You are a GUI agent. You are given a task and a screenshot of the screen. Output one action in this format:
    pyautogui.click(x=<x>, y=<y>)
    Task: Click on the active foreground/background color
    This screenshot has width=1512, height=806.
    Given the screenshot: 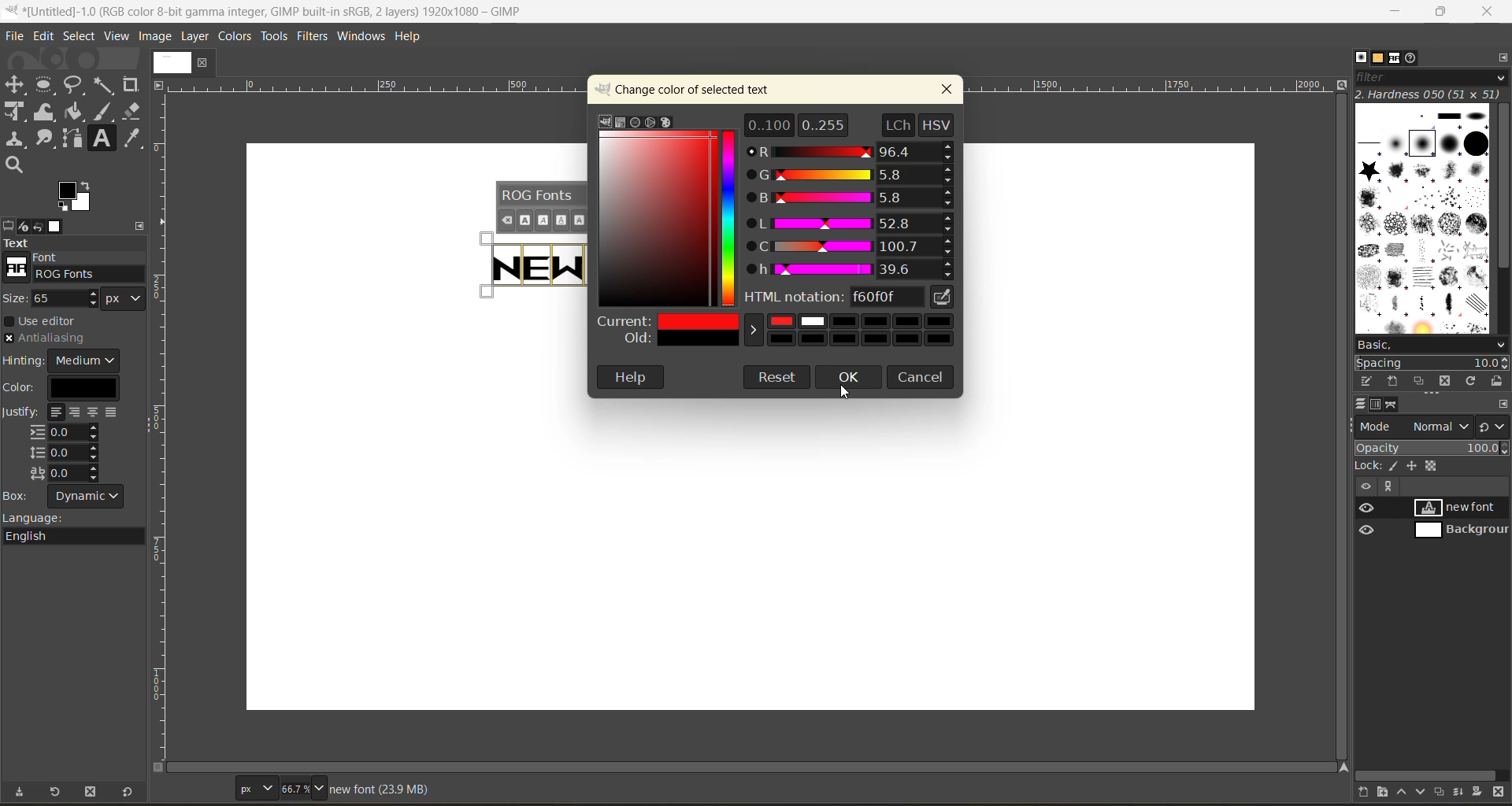 What is the action you would take?
    pyautogui.click(x=78, y=198)
    